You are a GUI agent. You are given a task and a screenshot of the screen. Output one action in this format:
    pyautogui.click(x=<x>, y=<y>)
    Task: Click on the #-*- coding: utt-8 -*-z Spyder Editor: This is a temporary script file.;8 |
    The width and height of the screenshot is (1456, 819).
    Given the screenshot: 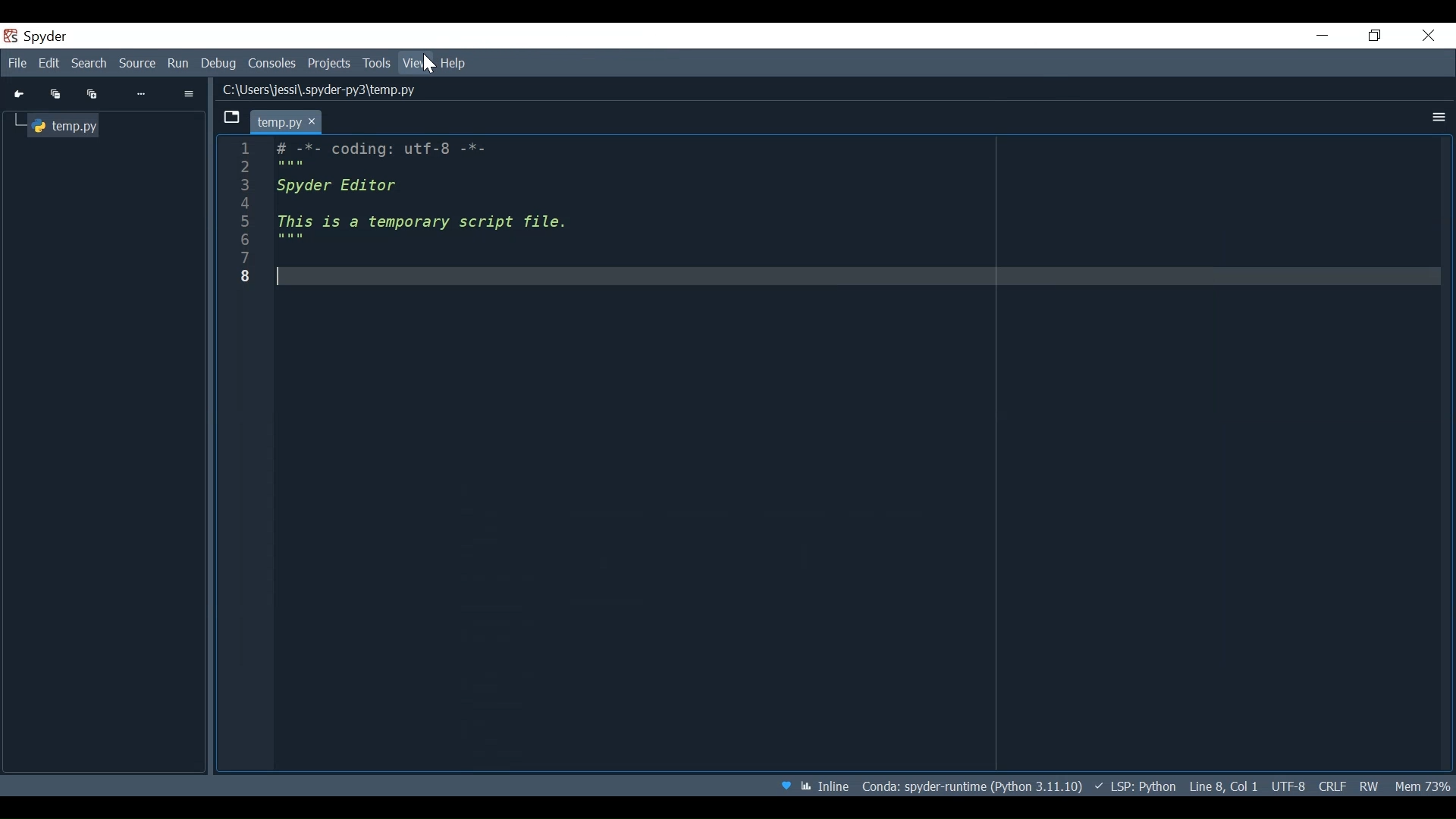 What is the action you would take?
    pyautogui.click(x=835, y=443)
    